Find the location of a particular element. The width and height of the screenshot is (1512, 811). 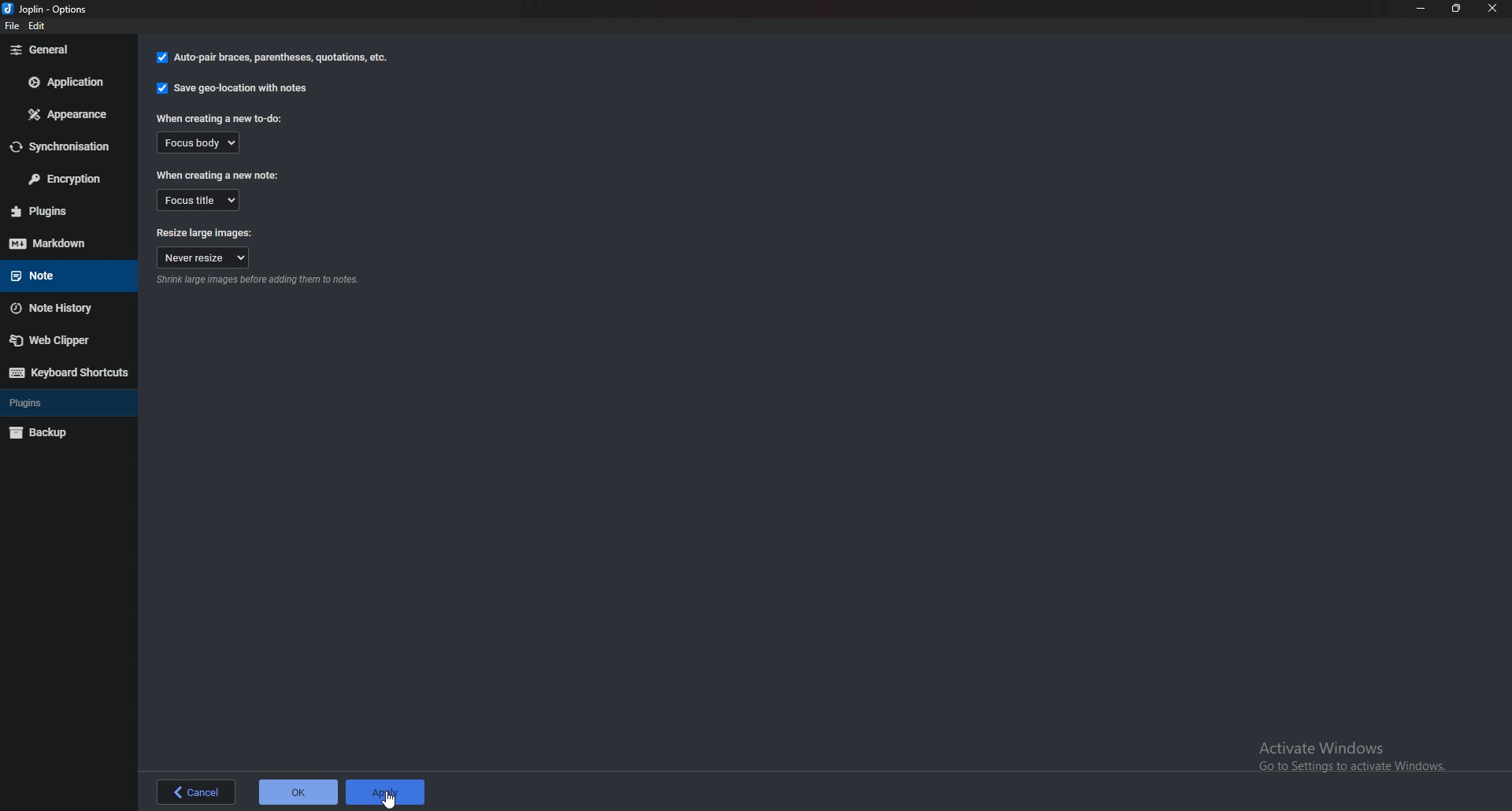

Resize is located at coordinates (1456, 9).